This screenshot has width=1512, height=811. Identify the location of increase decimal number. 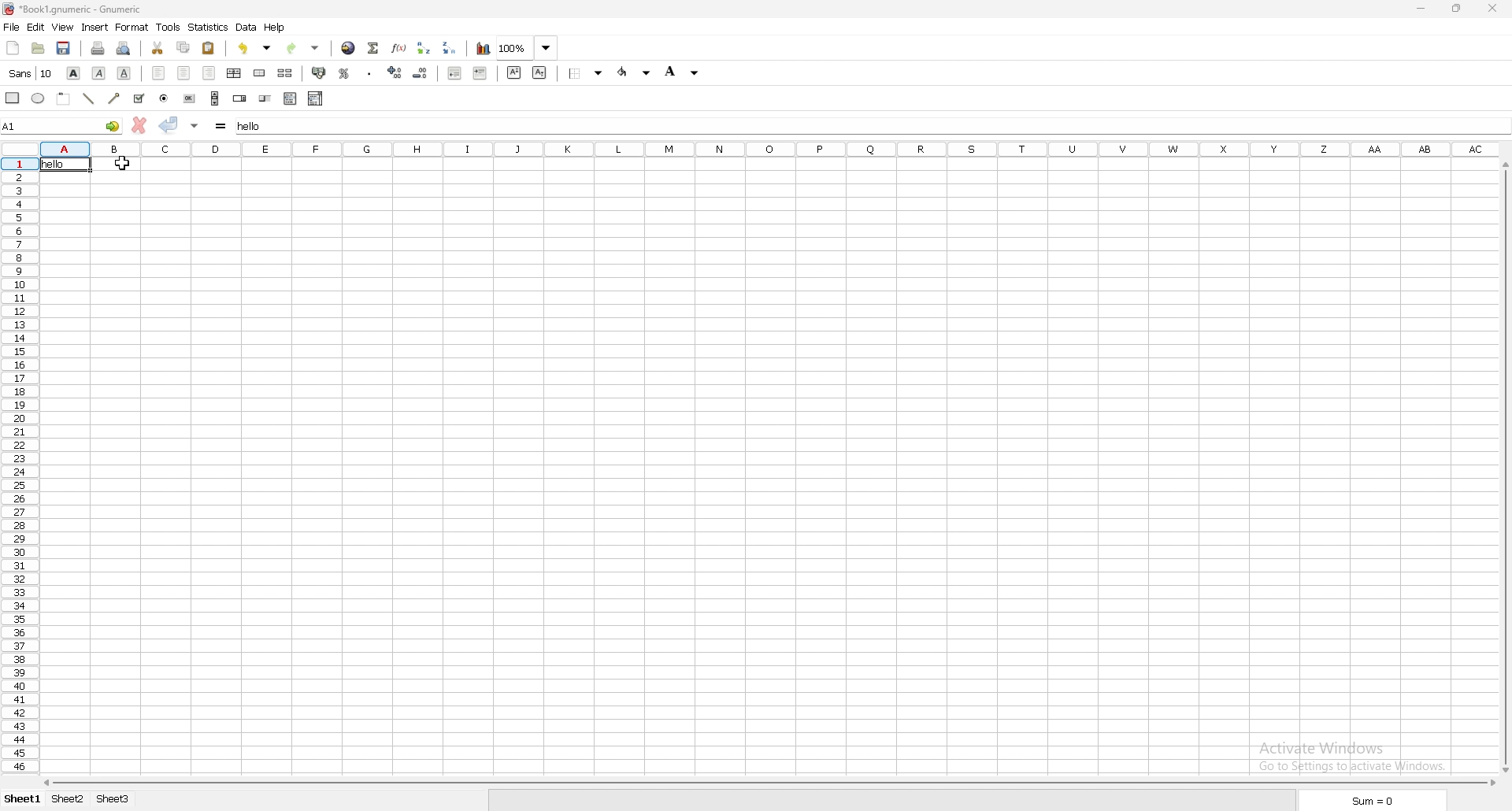
(395, 72).